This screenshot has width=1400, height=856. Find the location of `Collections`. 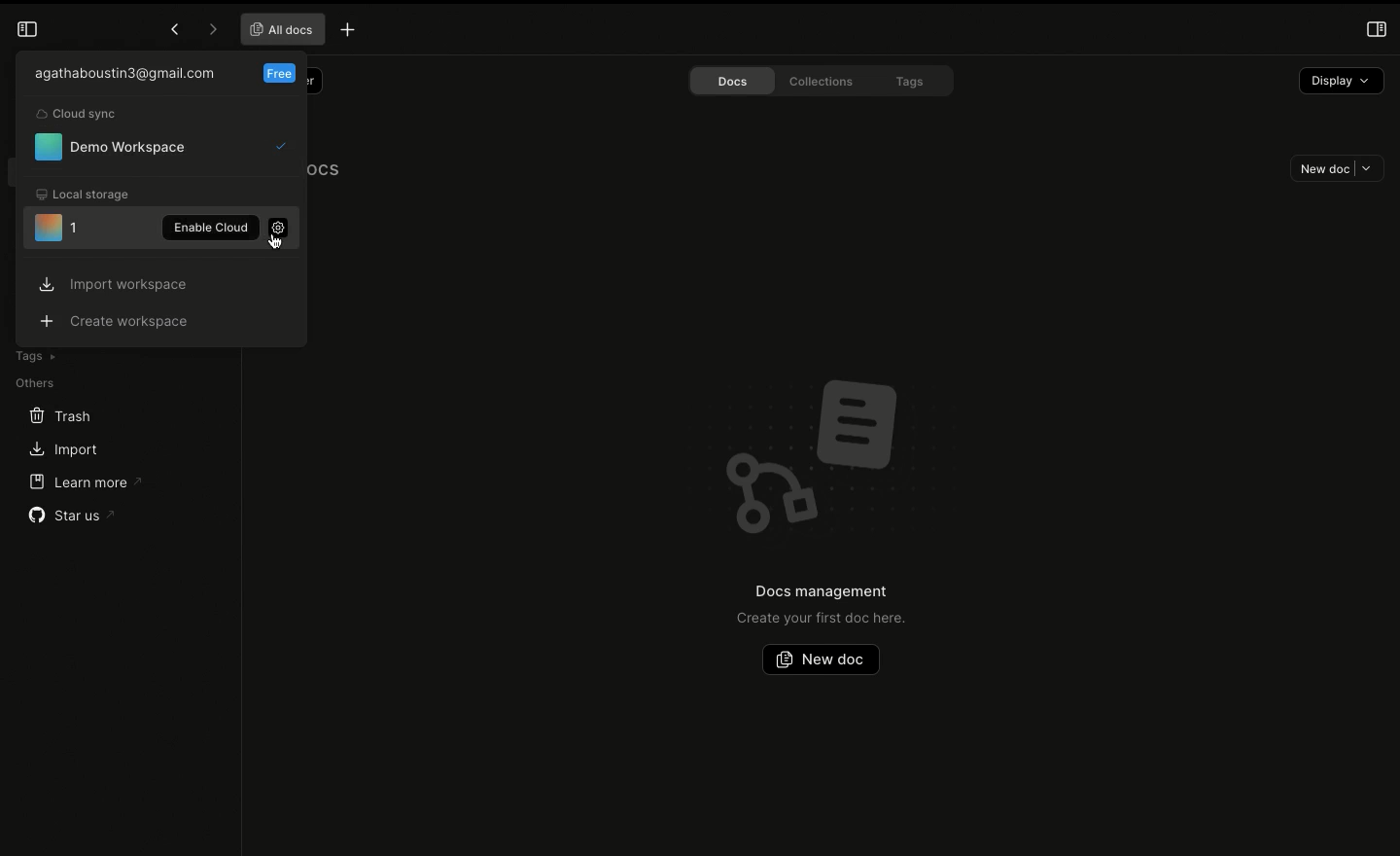

Collections is located at coordinates (830, 83).